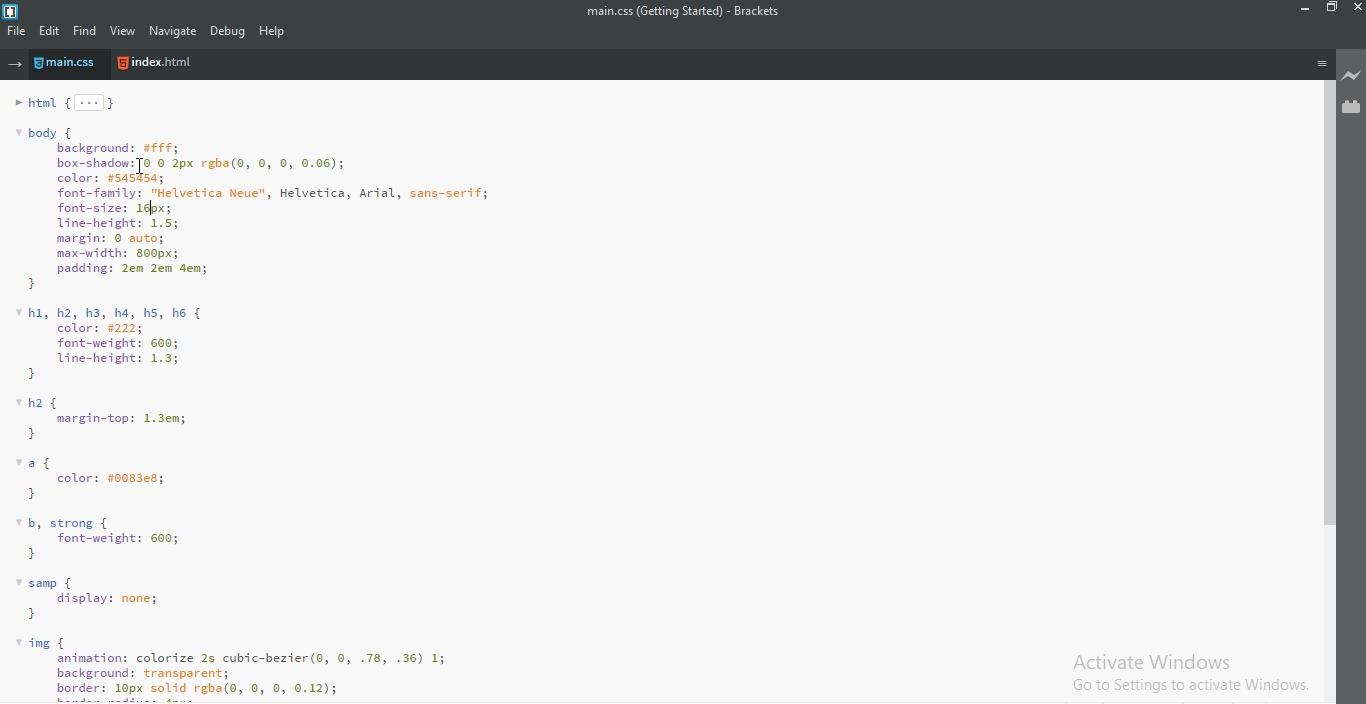 Image resolution: width=1366 pixels, height=704 pixels. What do you see at coordinates (1352, 77) in the screenshot?
I see `live preview` at bounding box center [1352, 77].